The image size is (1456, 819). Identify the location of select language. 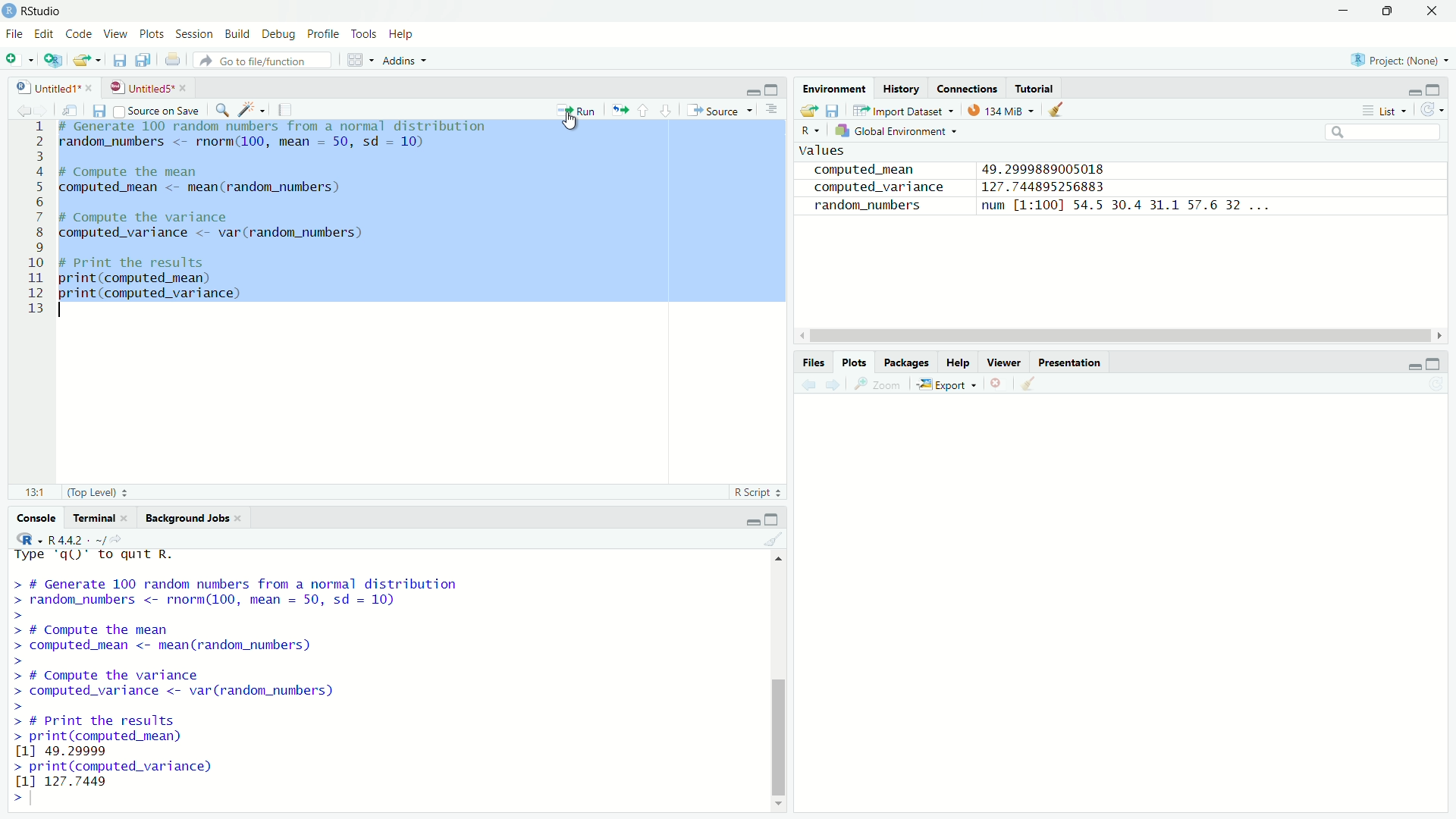
(808, 132).